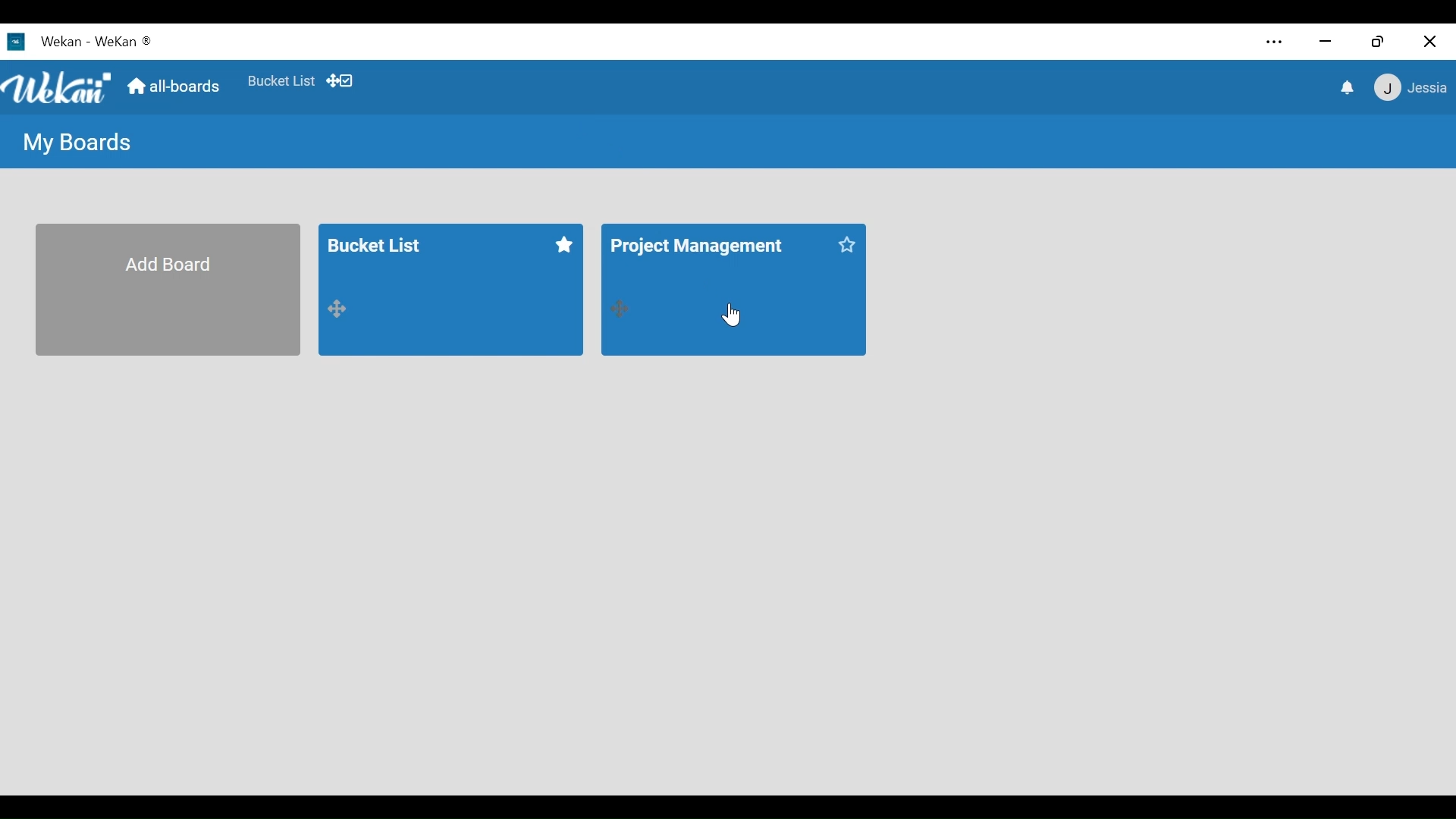 This screenshot has height=819, width=1456. I want to click on cursor, so click(732, 316).